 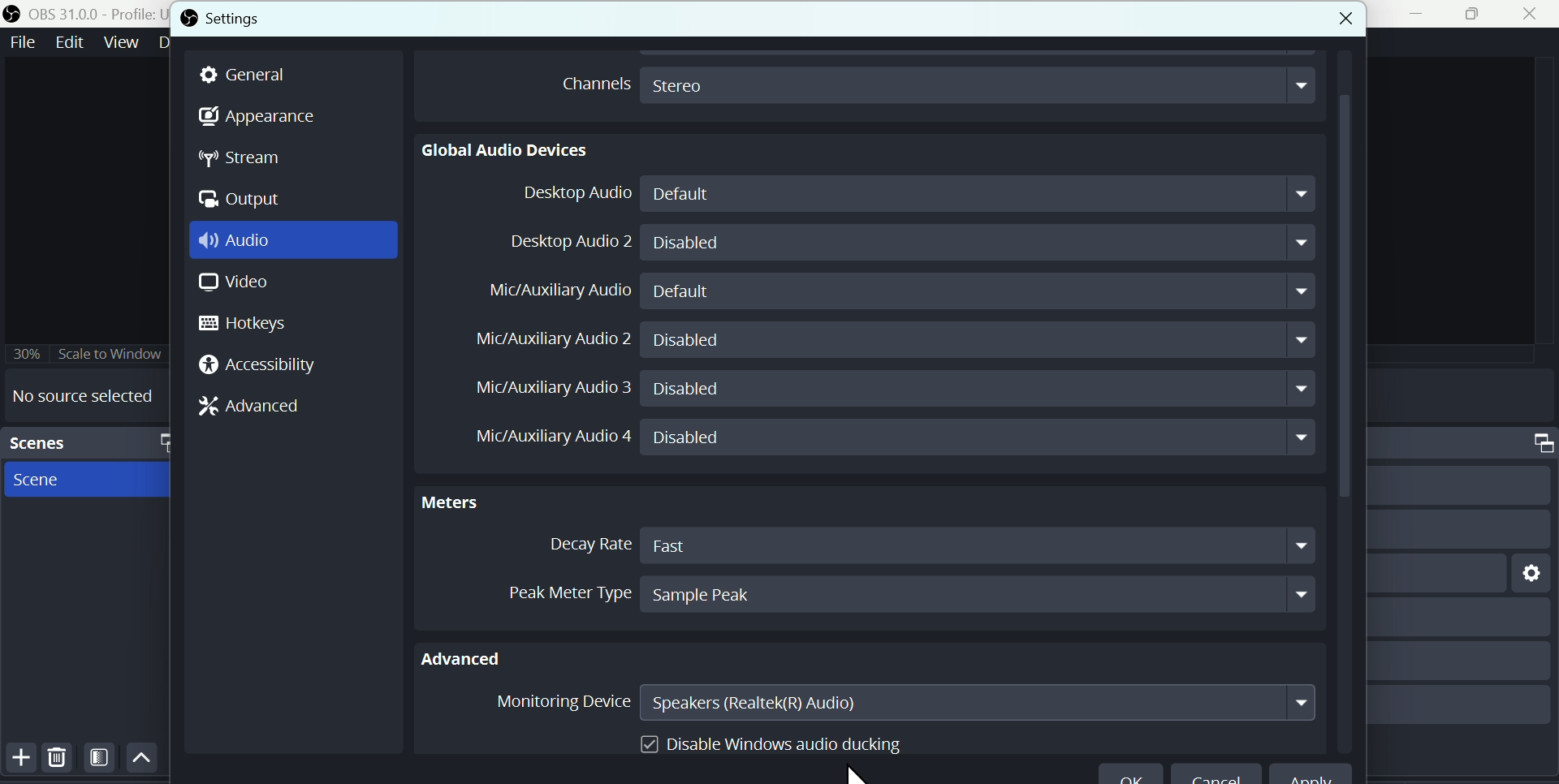 I want to click on stream, so click(x=247, y=160).